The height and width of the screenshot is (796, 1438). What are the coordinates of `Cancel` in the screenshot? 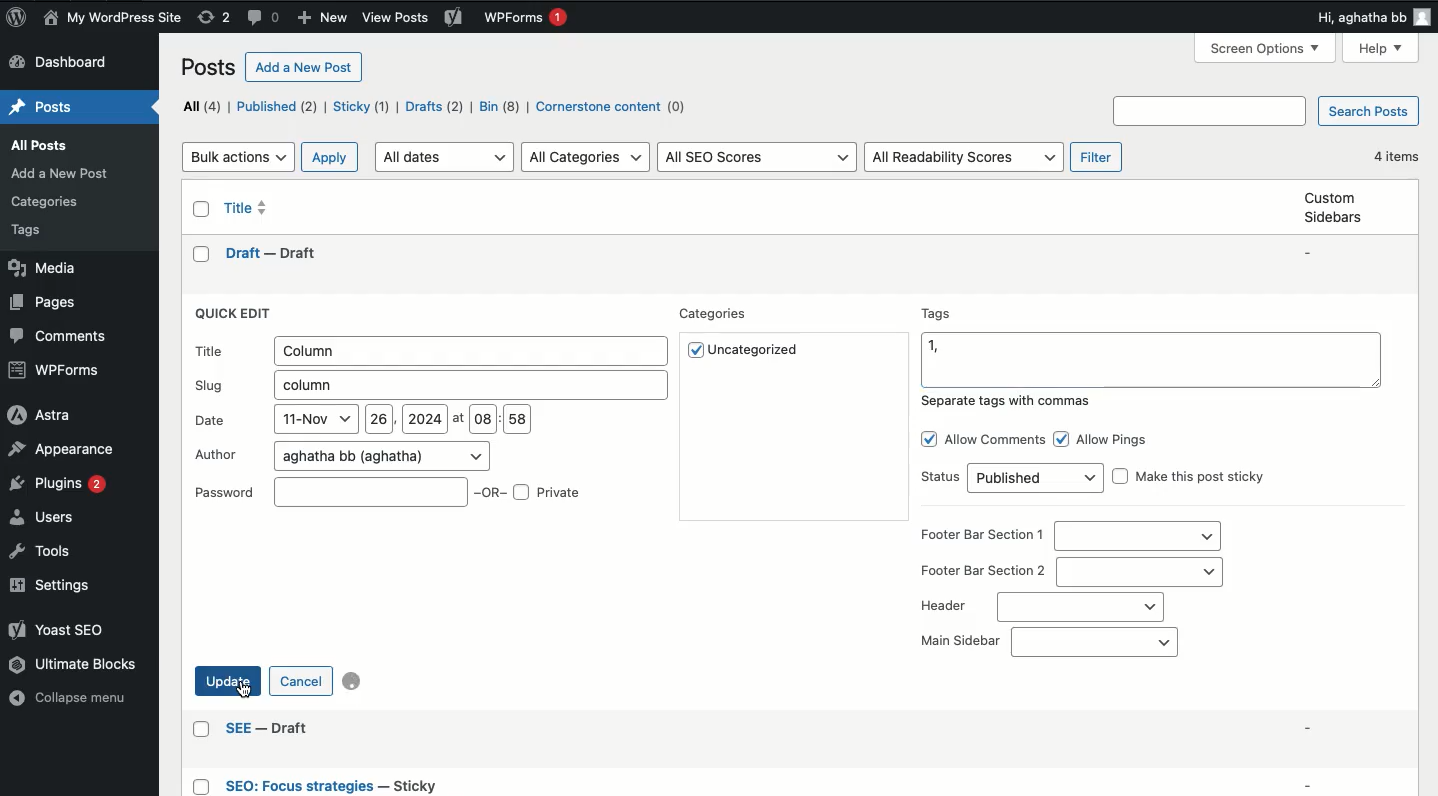 It's located at (303, 680).